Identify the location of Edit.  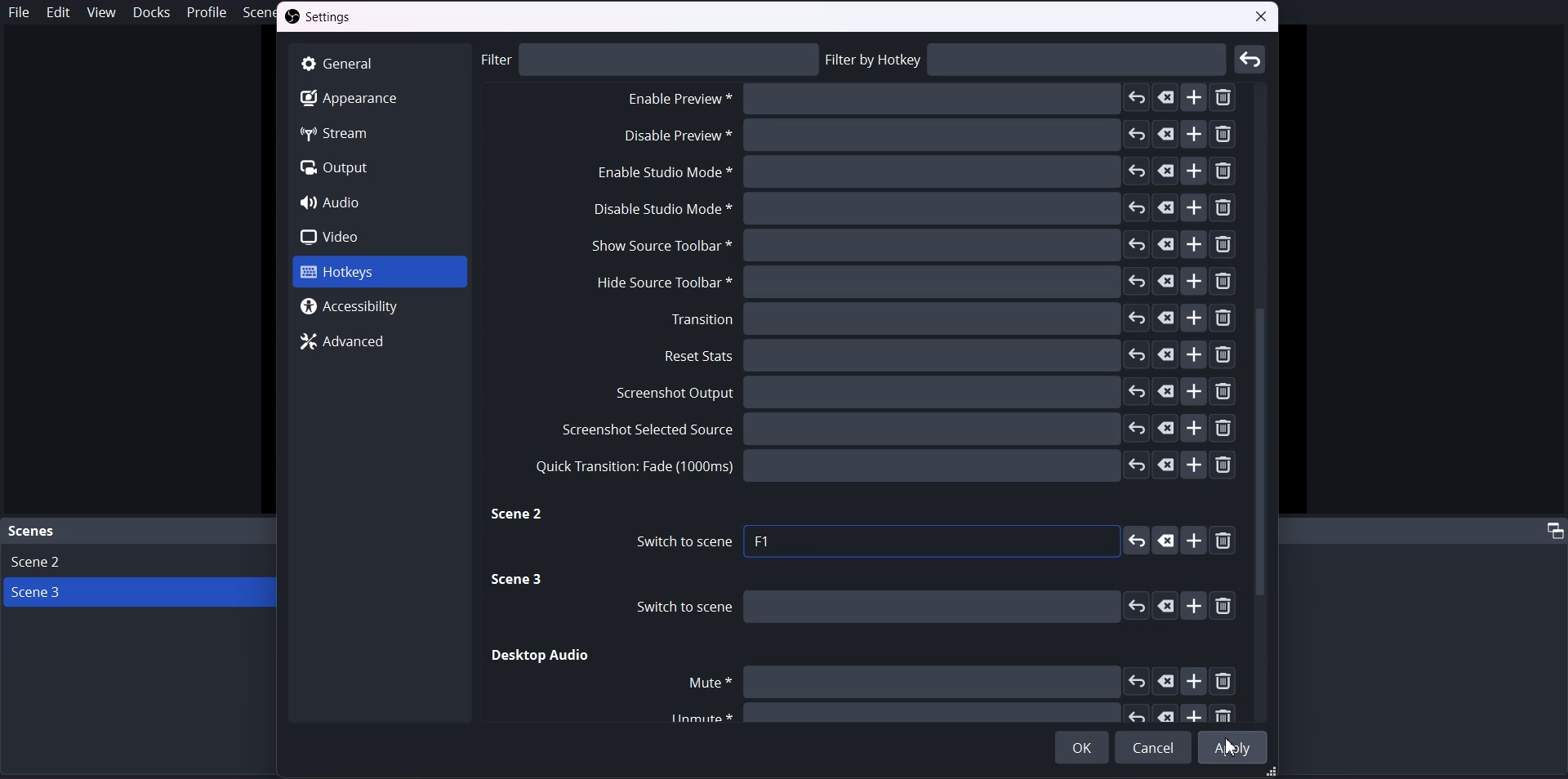
(58, 12).